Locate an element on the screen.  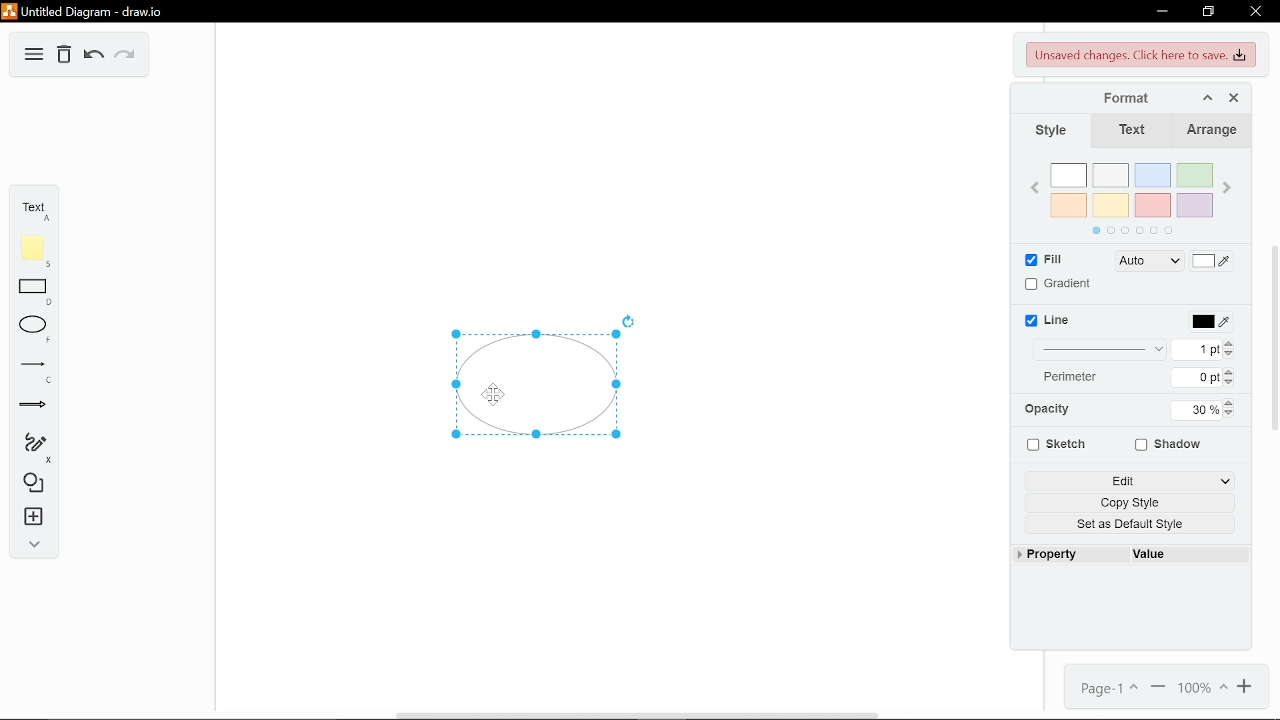
Increase thickness is located at coordinates (1231, 342).